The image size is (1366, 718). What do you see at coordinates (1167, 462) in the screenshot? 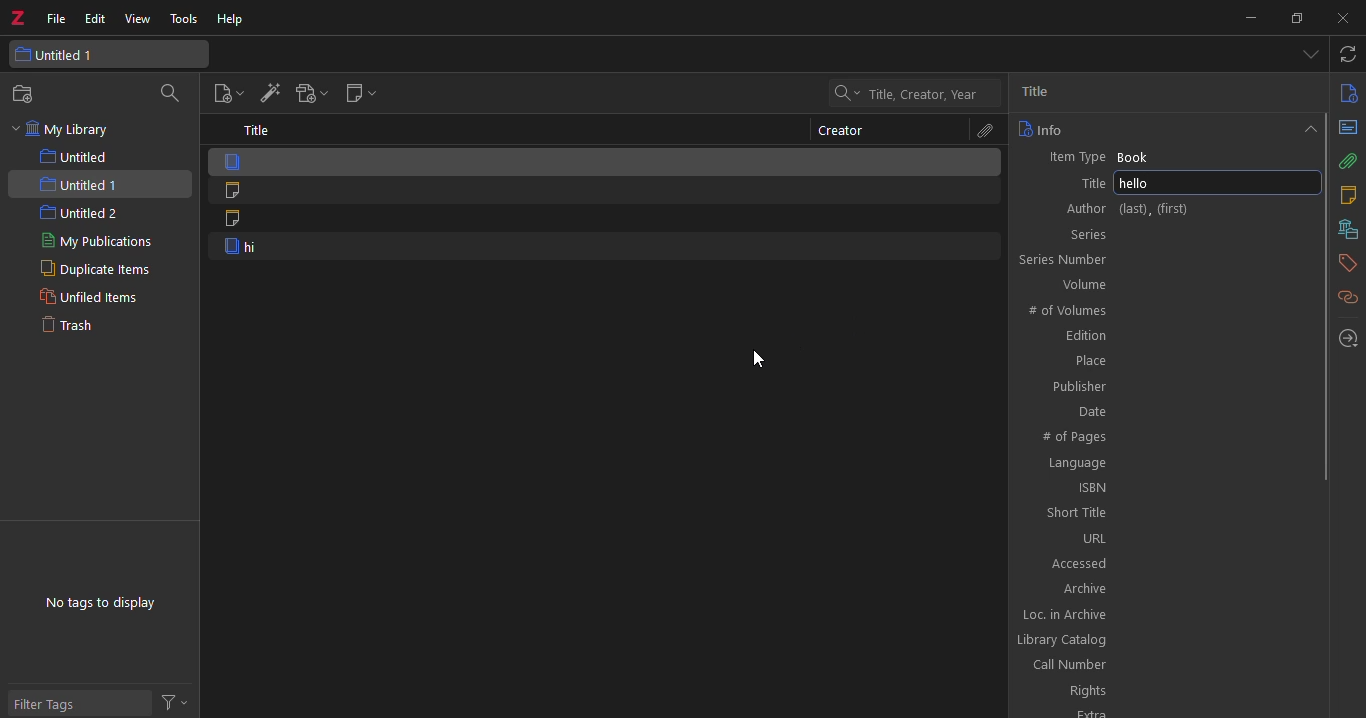
I see `language` at bounding box center [1167, 462].